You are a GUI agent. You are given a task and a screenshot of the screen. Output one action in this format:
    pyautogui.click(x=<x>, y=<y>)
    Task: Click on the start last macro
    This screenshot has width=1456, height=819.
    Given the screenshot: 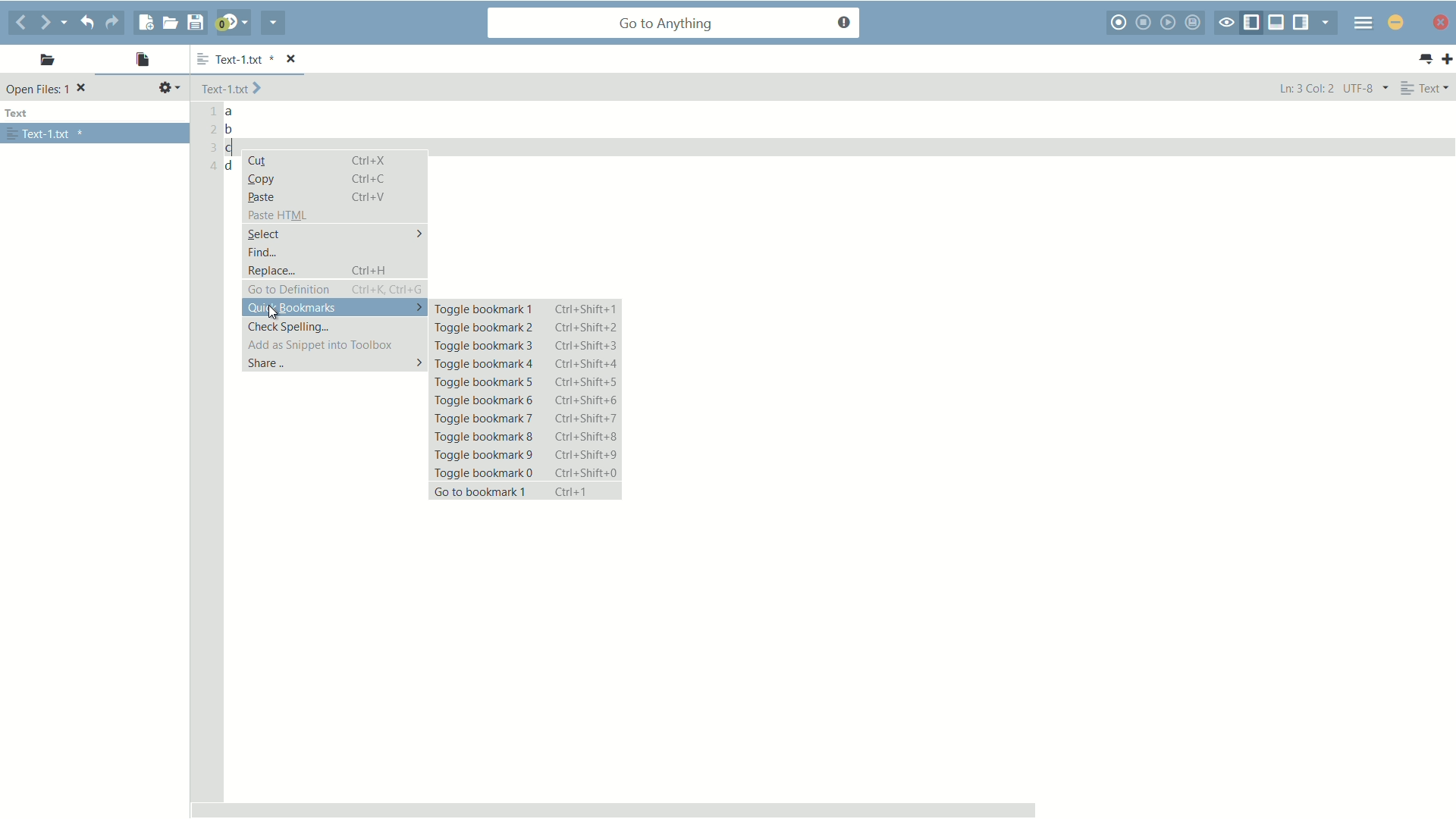 What is the action you would take?
    pyautogui.click(x=1168, y=24)
    